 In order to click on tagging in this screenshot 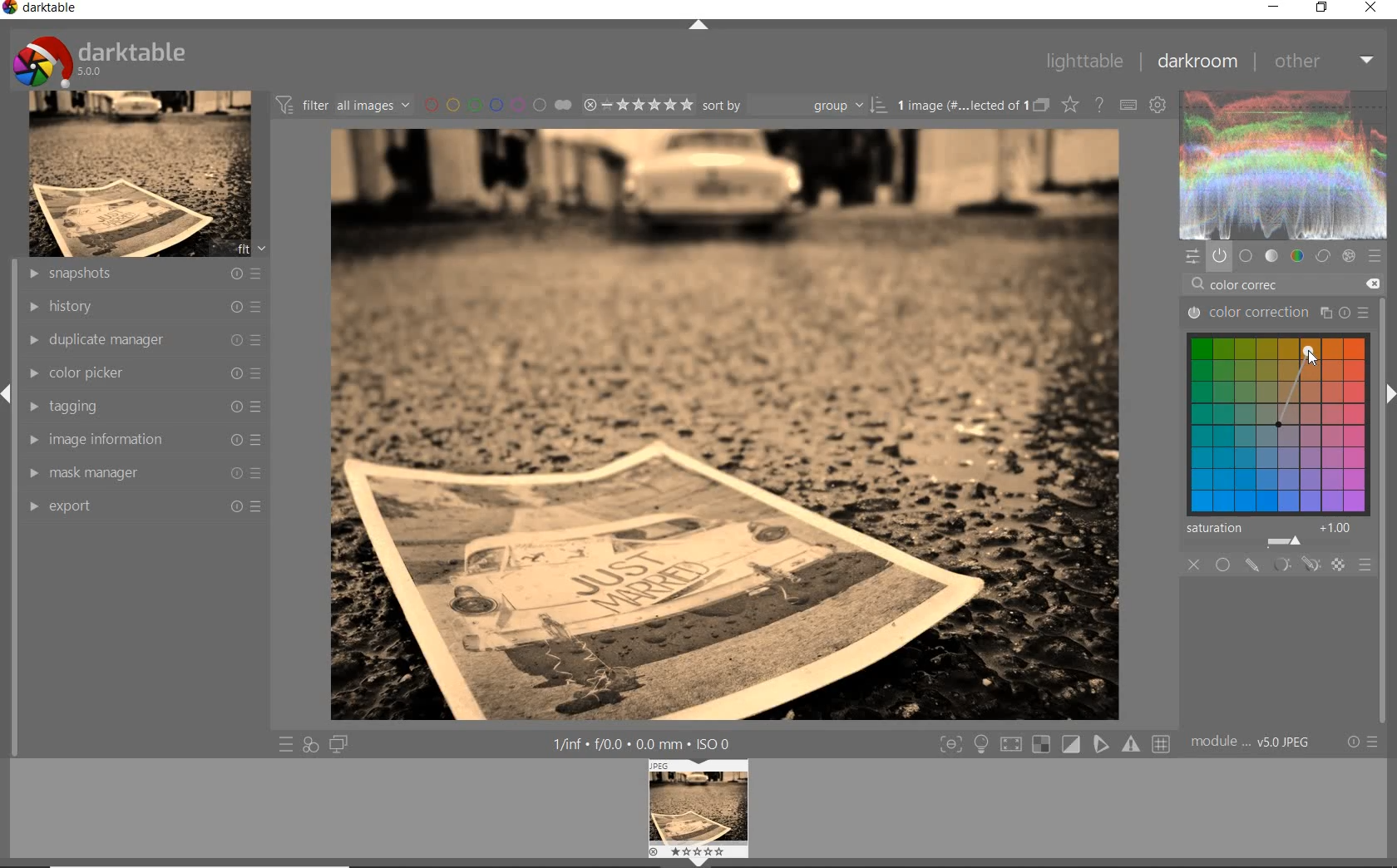, I will do `click(142, 409)`.